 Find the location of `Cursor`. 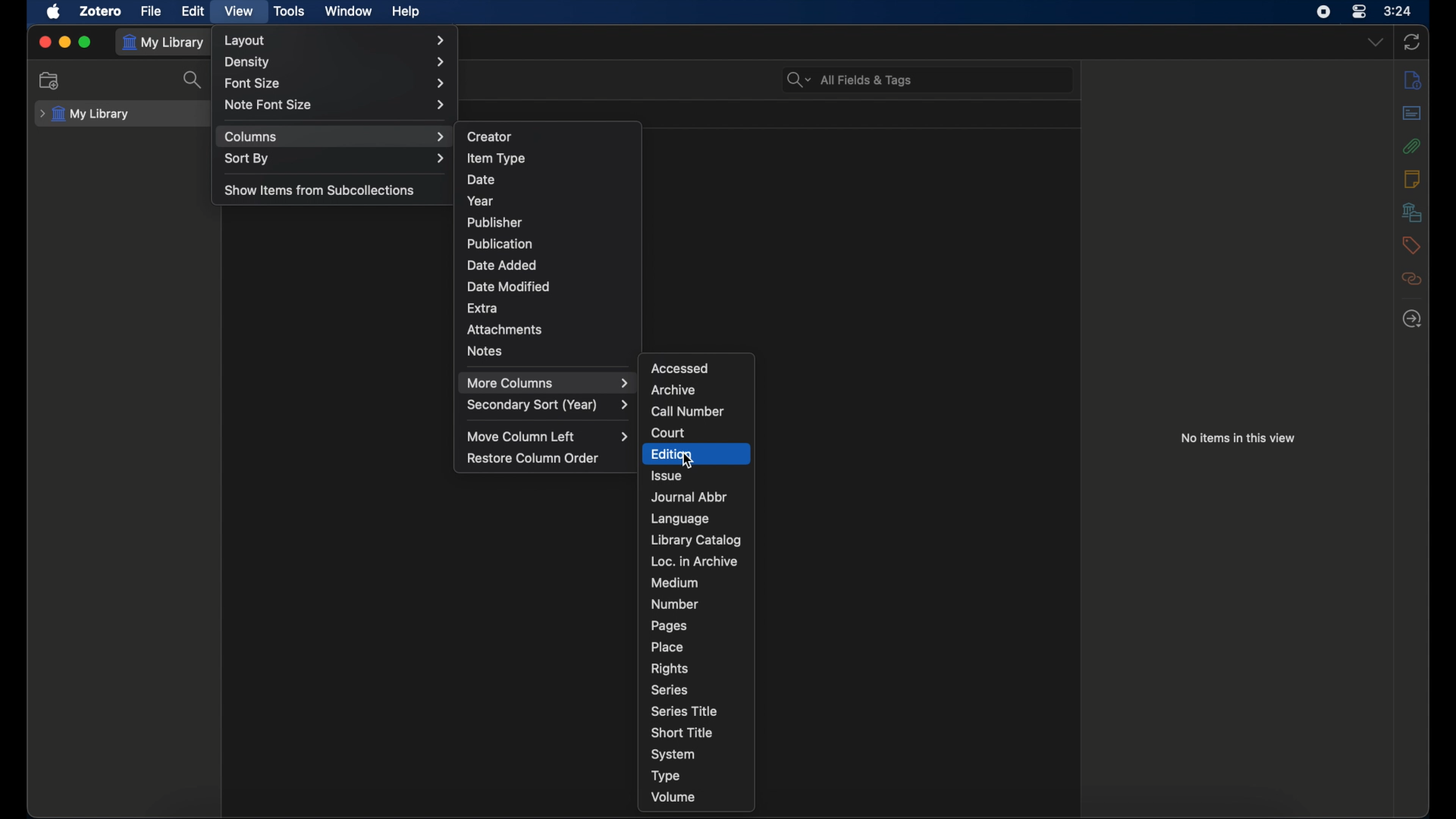

Cursor is located at coordinates (685, 462).